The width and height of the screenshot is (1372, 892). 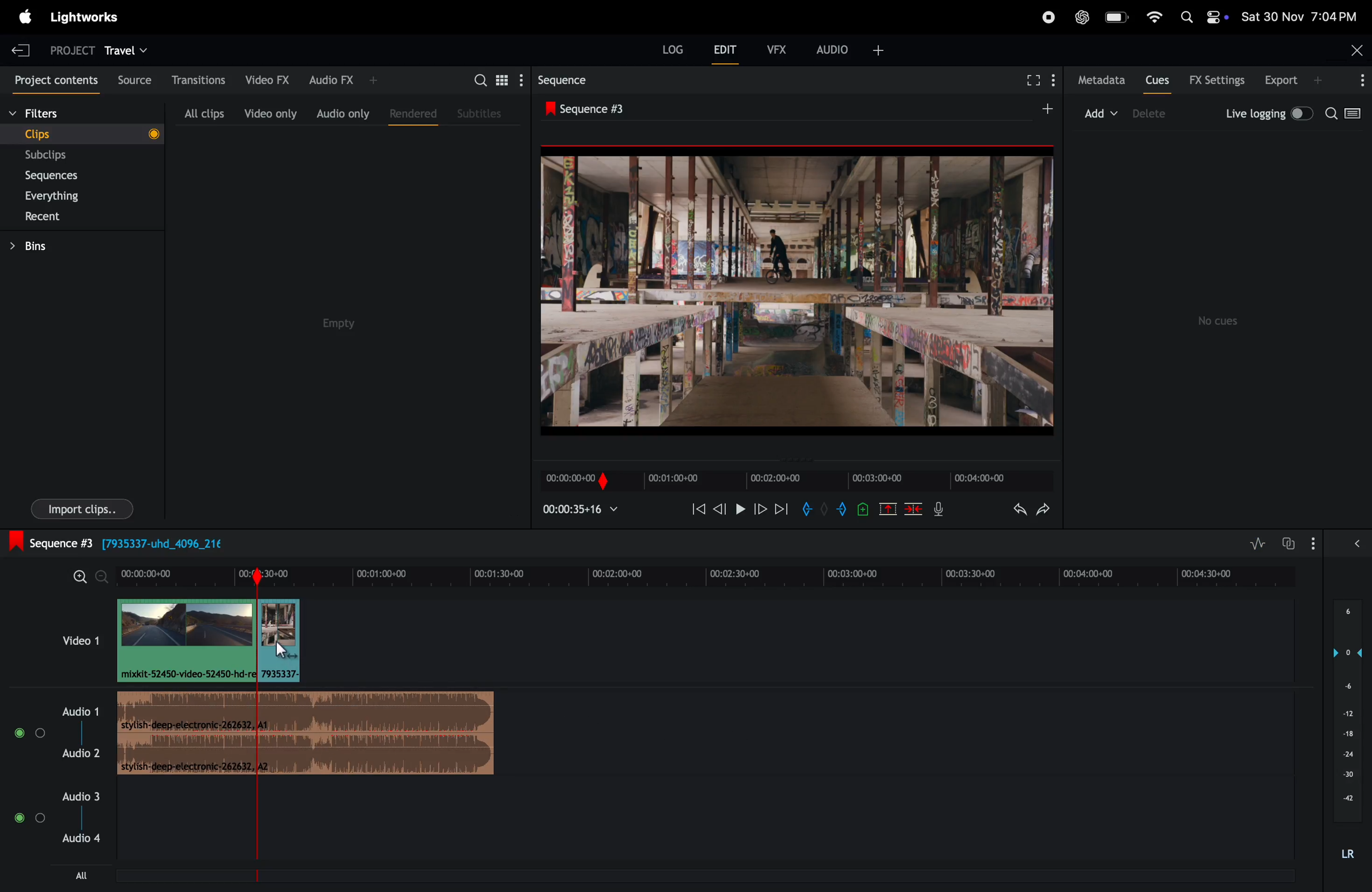 What do you see at coordinates (889, 508) in the screenshot?
I see `` at bounding box center [889, 508].